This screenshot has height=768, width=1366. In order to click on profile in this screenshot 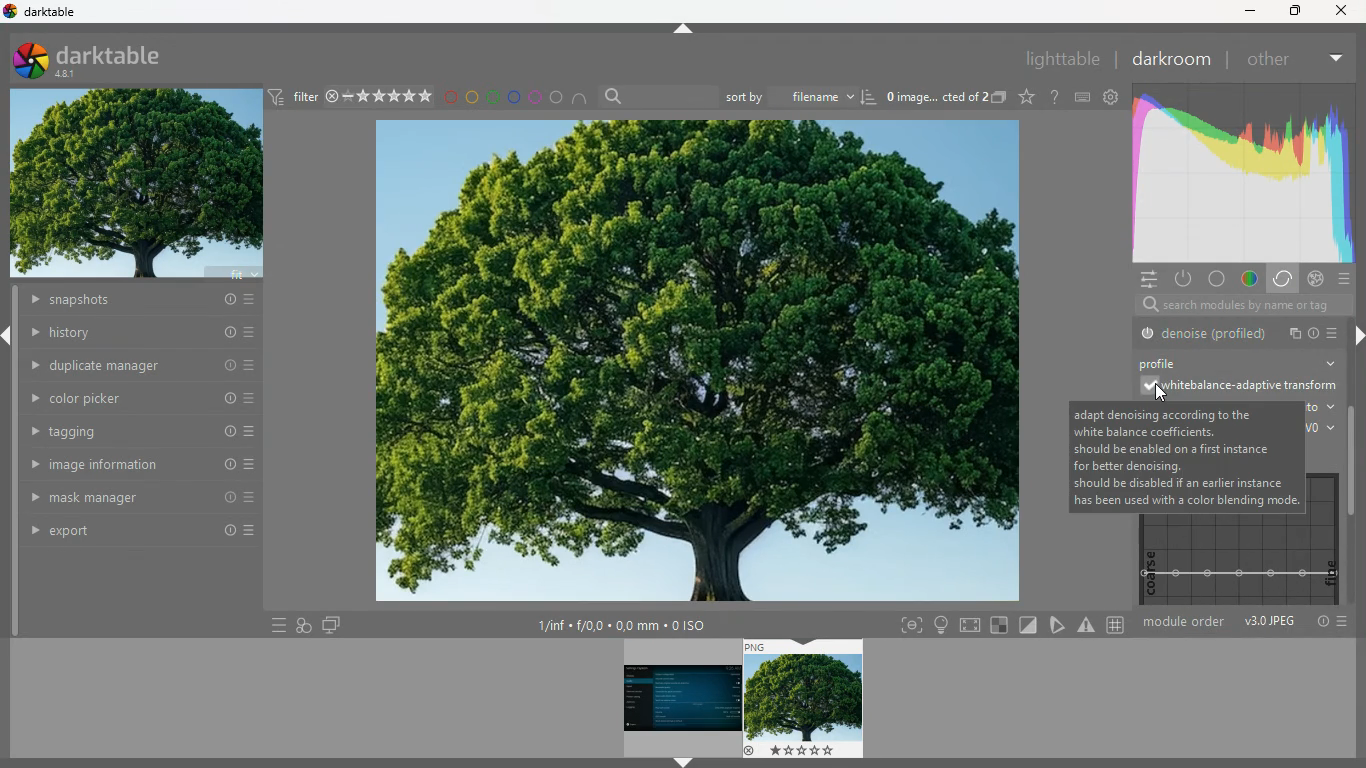, I will do `click(1314, 332)`.